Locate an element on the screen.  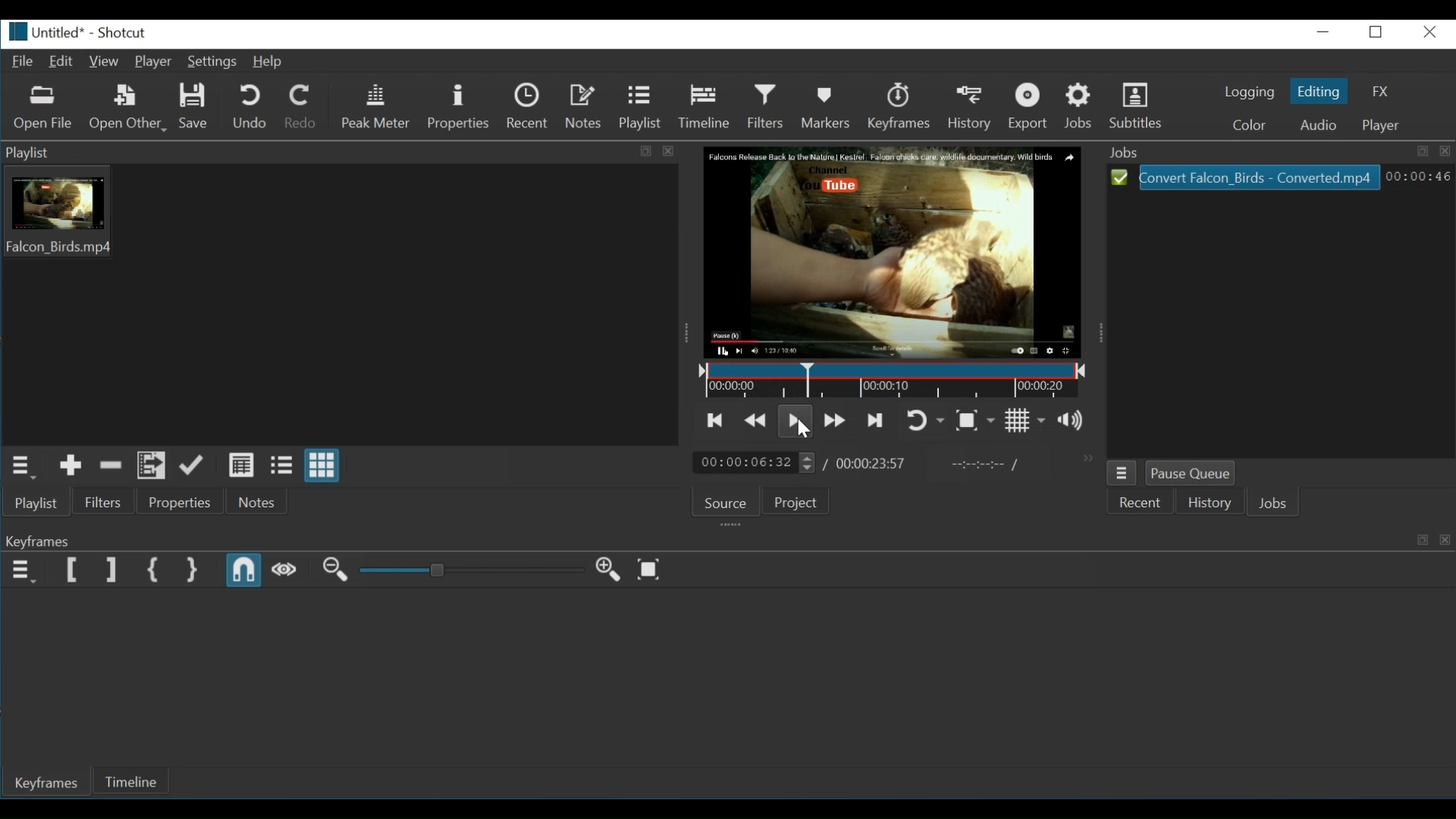
Add the Source to the playlist is located at coordinates (67, 466).